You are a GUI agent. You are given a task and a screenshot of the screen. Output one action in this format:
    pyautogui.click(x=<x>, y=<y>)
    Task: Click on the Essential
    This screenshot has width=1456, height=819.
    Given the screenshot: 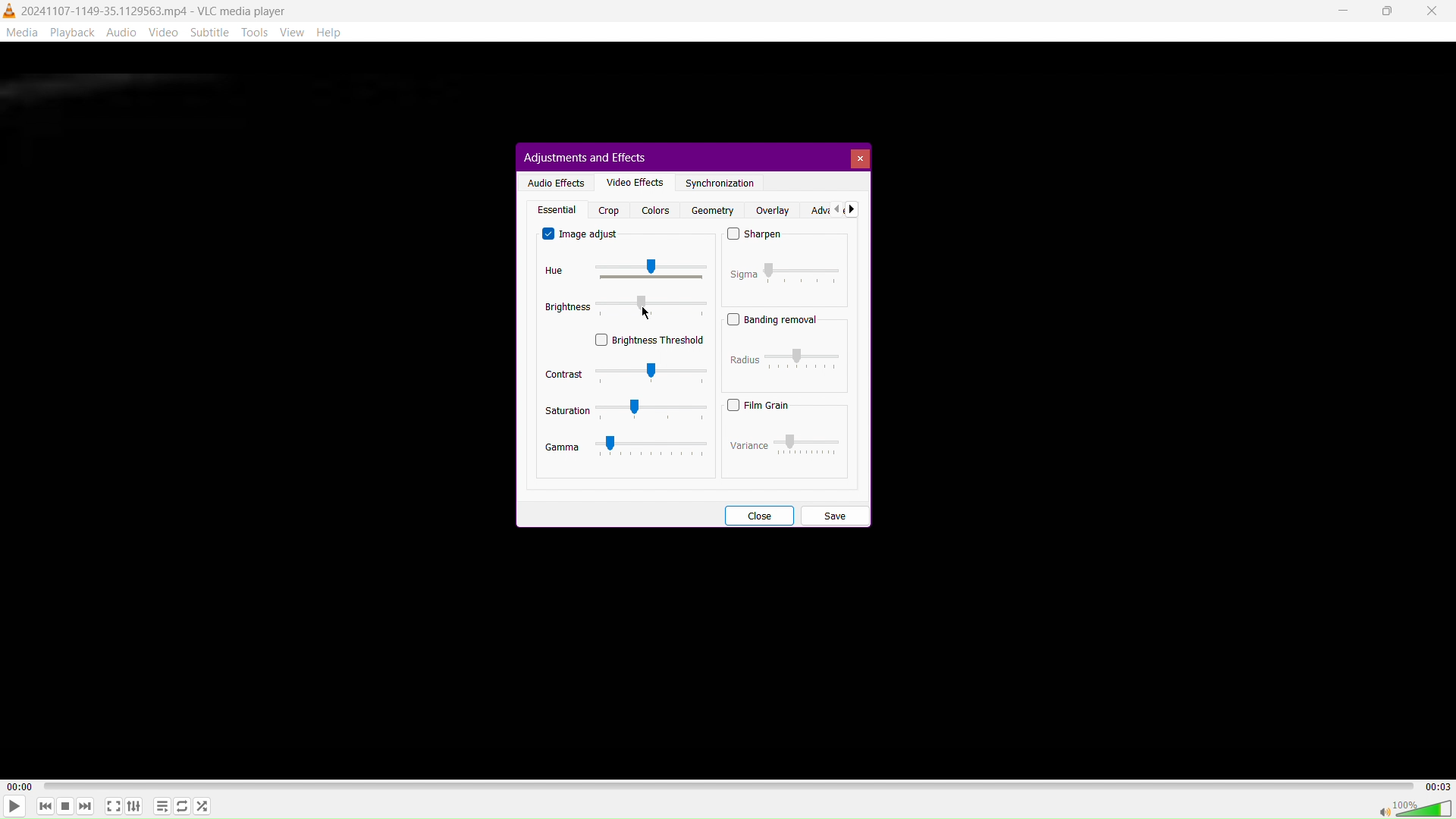 What is the action you would take?
    pyautogui.click(x=555, y=209)
    